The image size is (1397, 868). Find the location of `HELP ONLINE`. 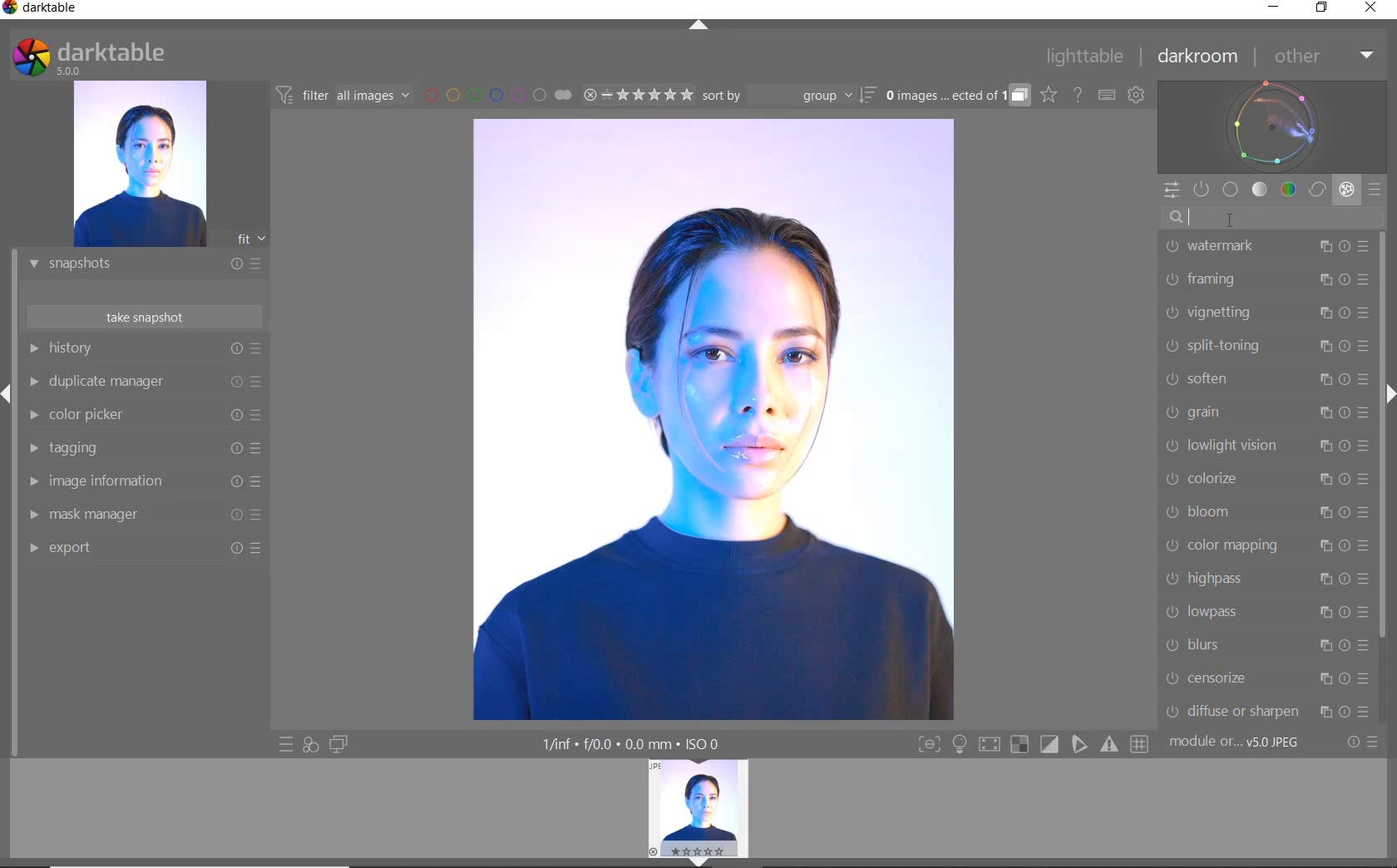

HELP ONLINE is located at coordinates (1078, 94).